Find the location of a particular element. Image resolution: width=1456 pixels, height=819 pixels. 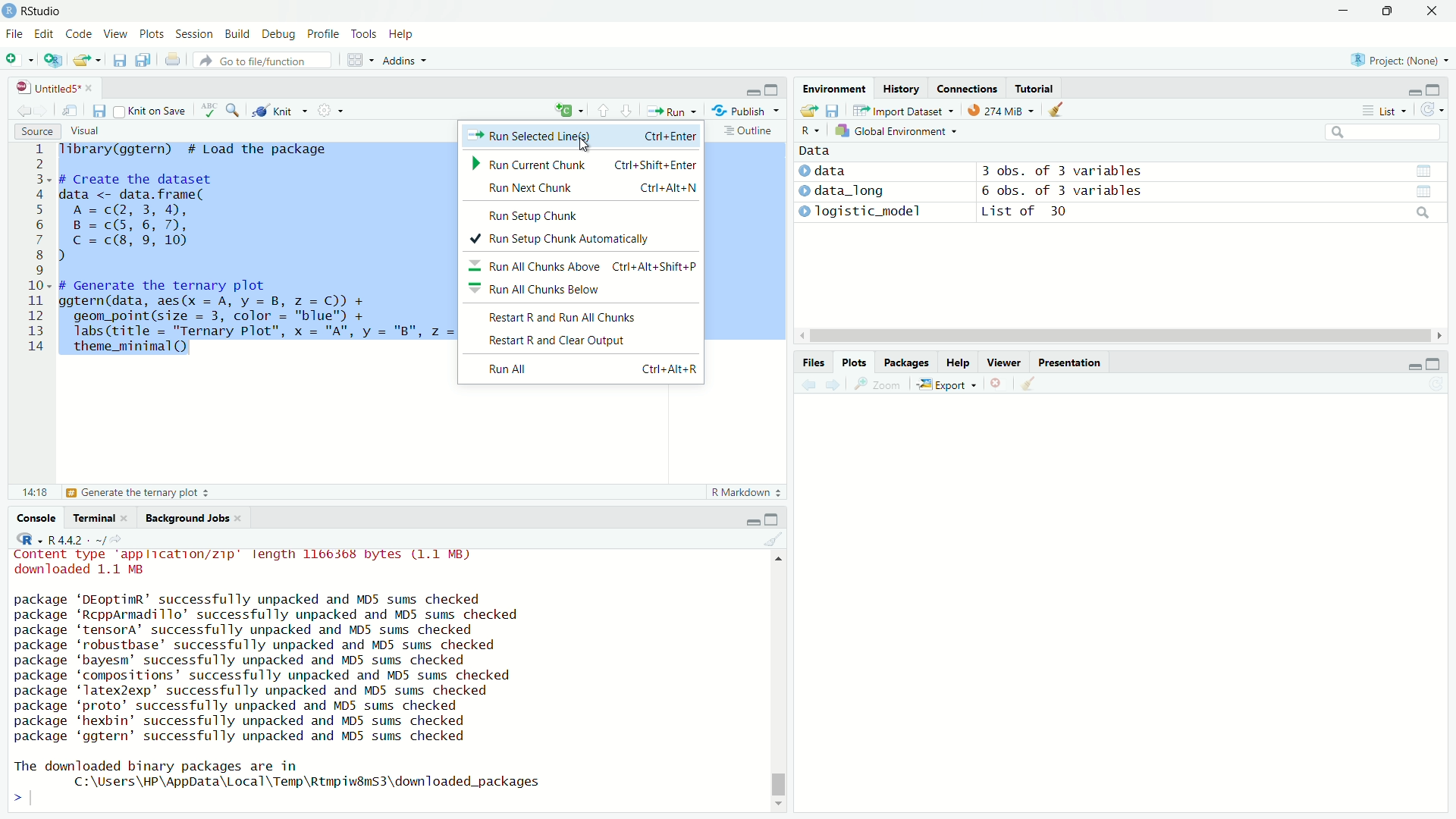

Code is located at coordinates (76, 34).